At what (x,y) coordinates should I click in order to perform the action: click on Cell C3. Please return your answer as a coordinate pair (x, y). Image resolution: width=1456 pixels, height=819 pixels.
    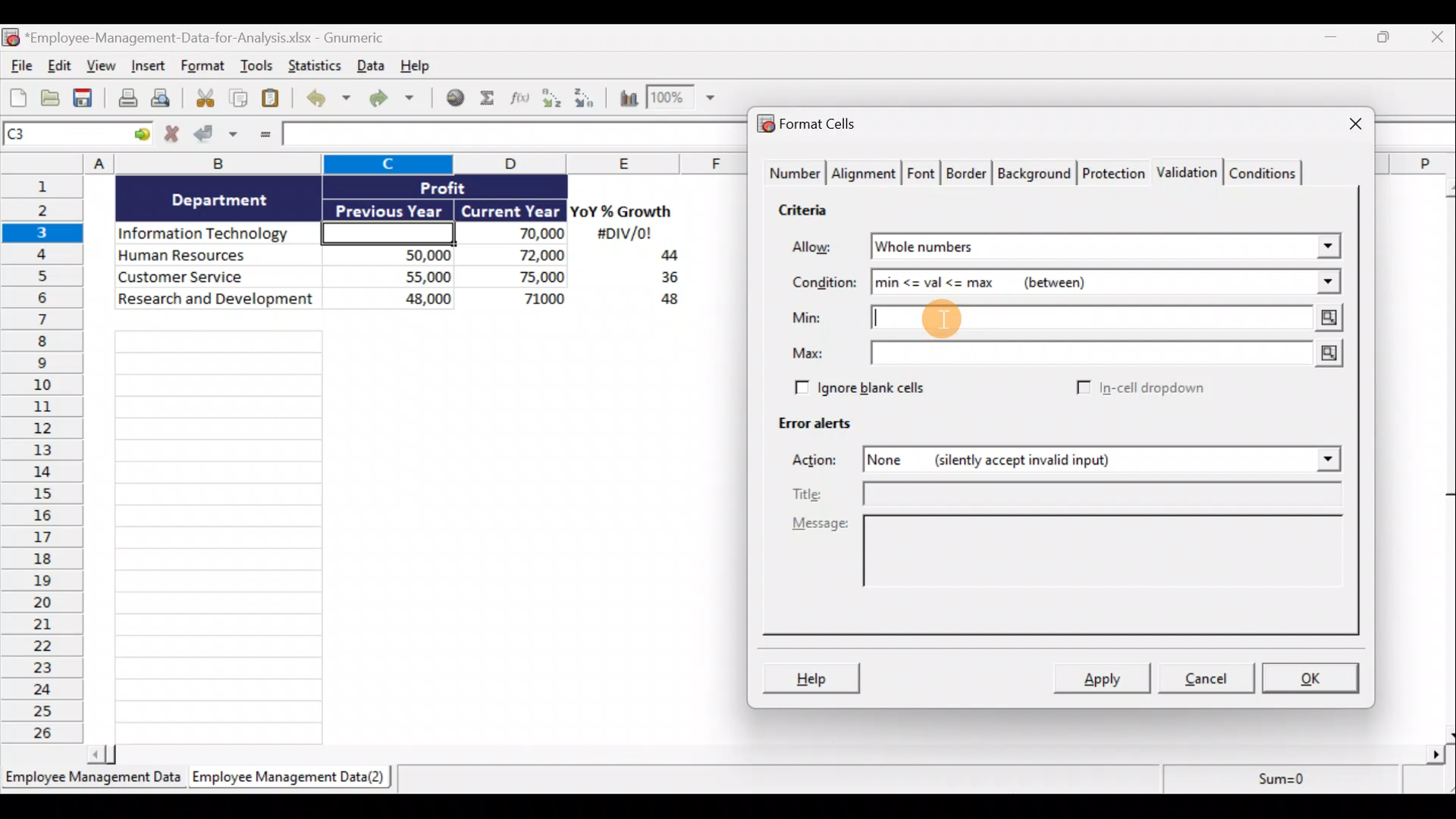
    Looking at the image, I should click on (384, 231).